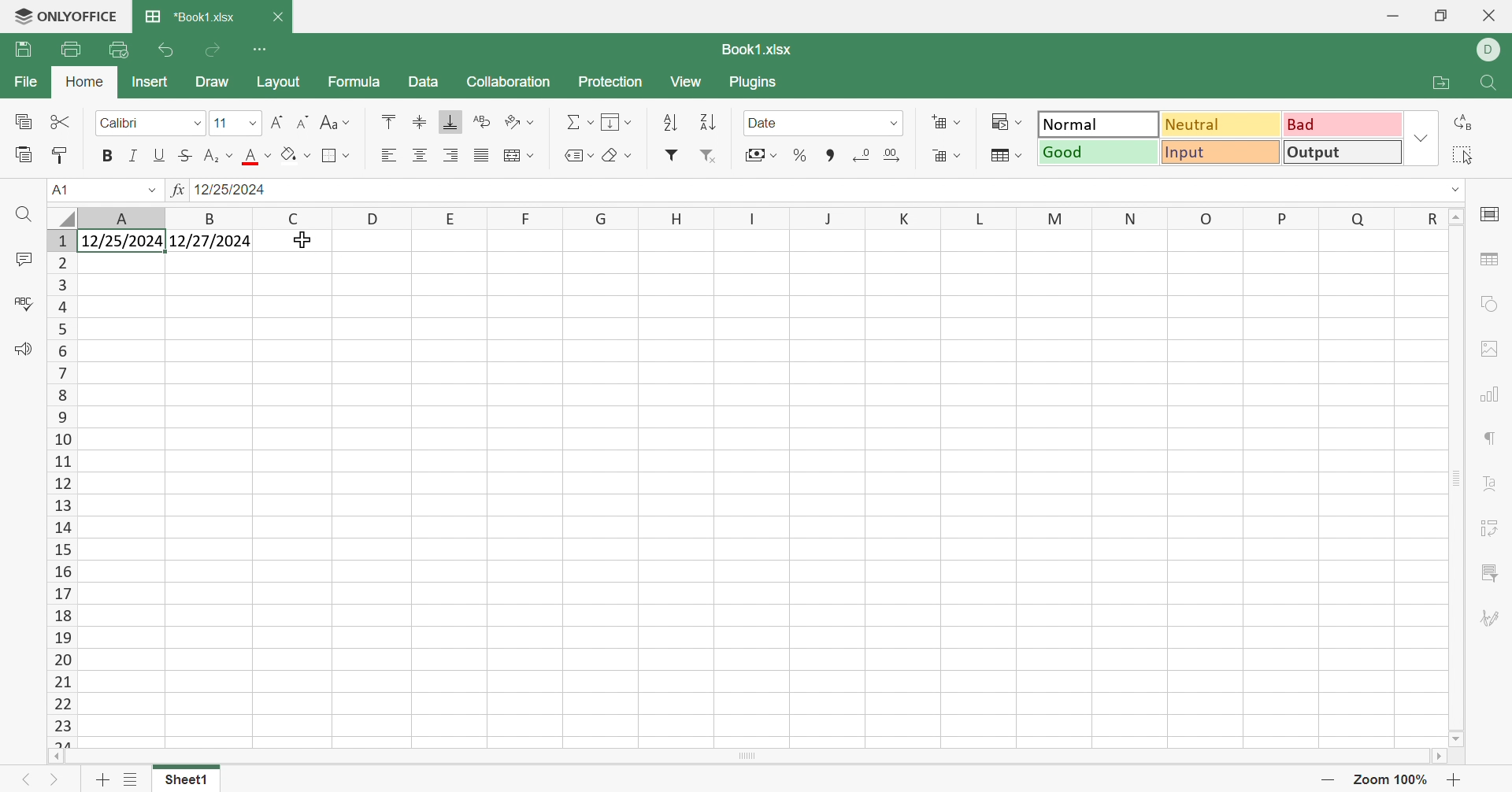  I want to click on Insert cells, so click(949, 122).